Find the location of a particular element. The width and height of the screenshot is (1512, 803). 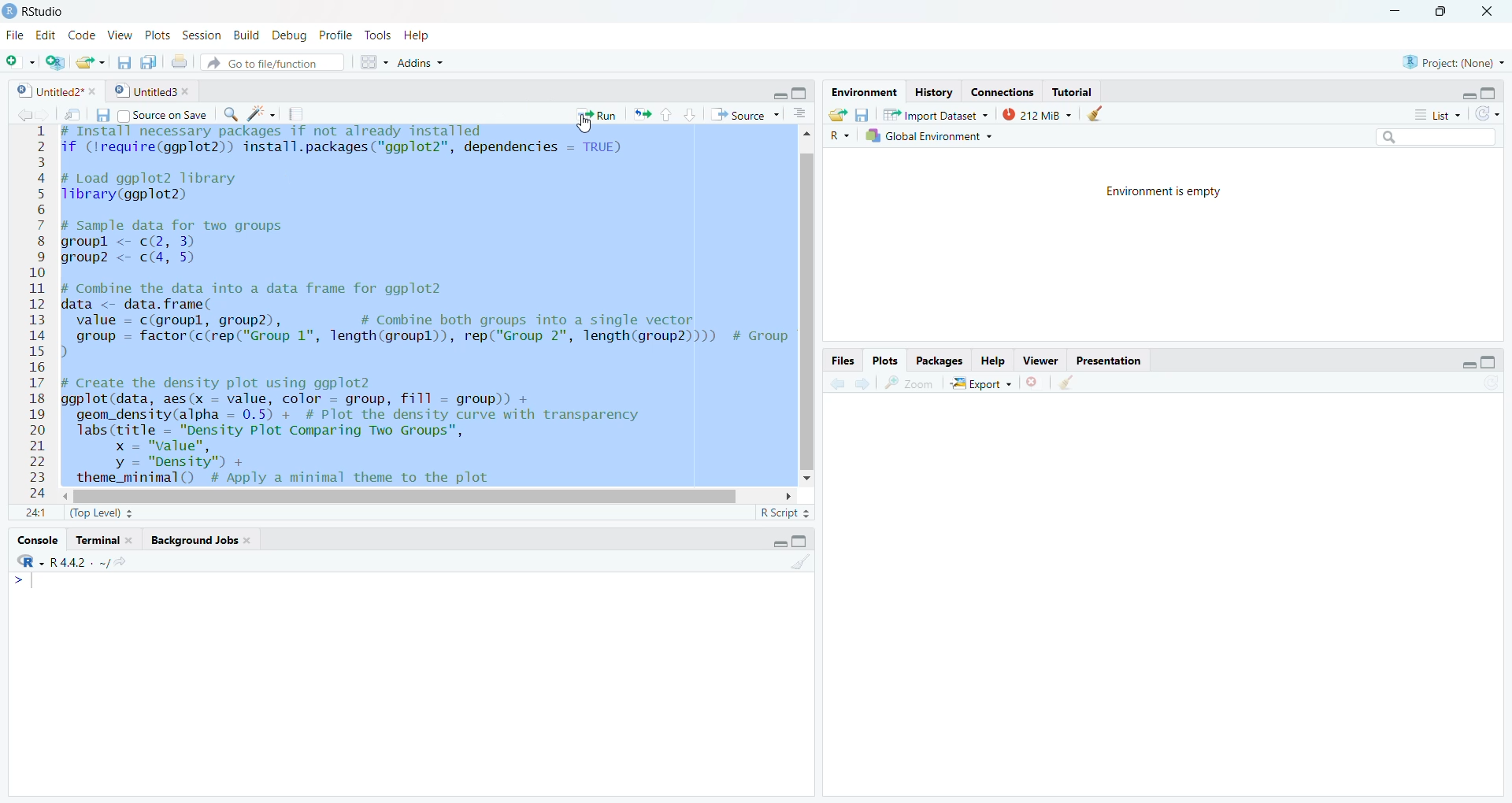

viewer is located at coordinates (1039, 359).